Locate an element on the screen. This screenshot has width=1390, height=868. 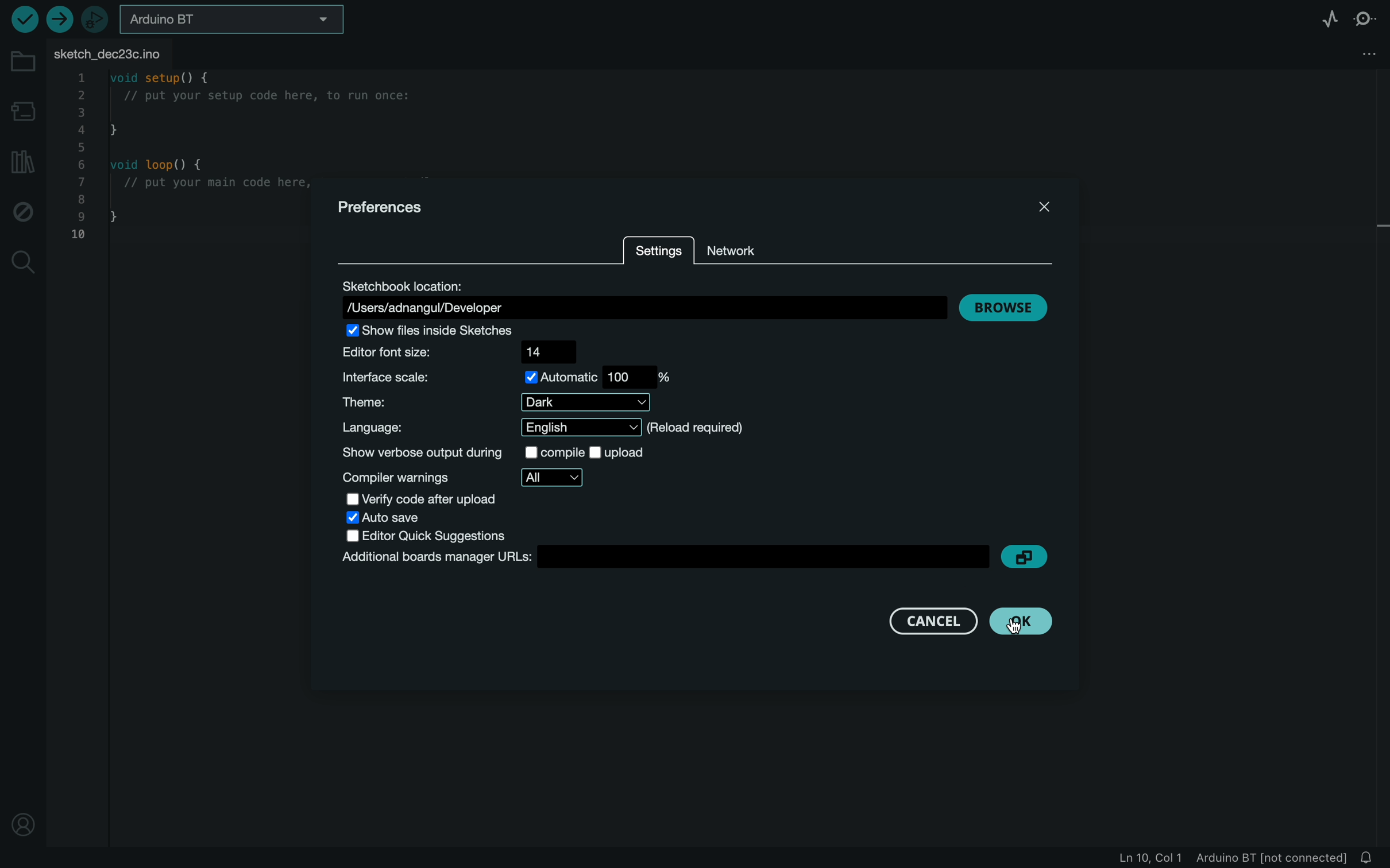
serial monitor is located at coordinates (1363, 17).